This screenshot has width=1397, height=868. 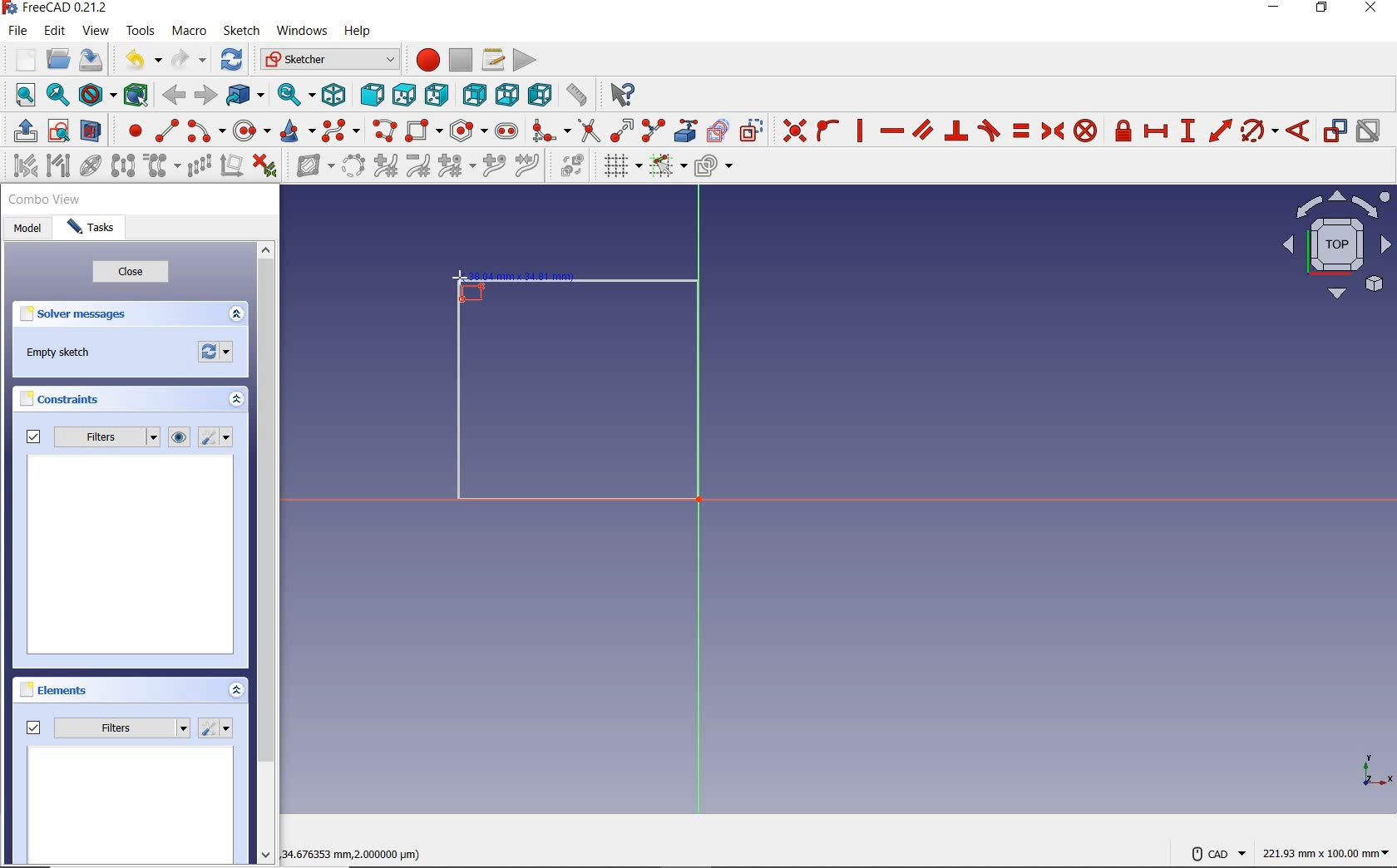 I want to click on constrain parallel, so click(x=922, y=131).